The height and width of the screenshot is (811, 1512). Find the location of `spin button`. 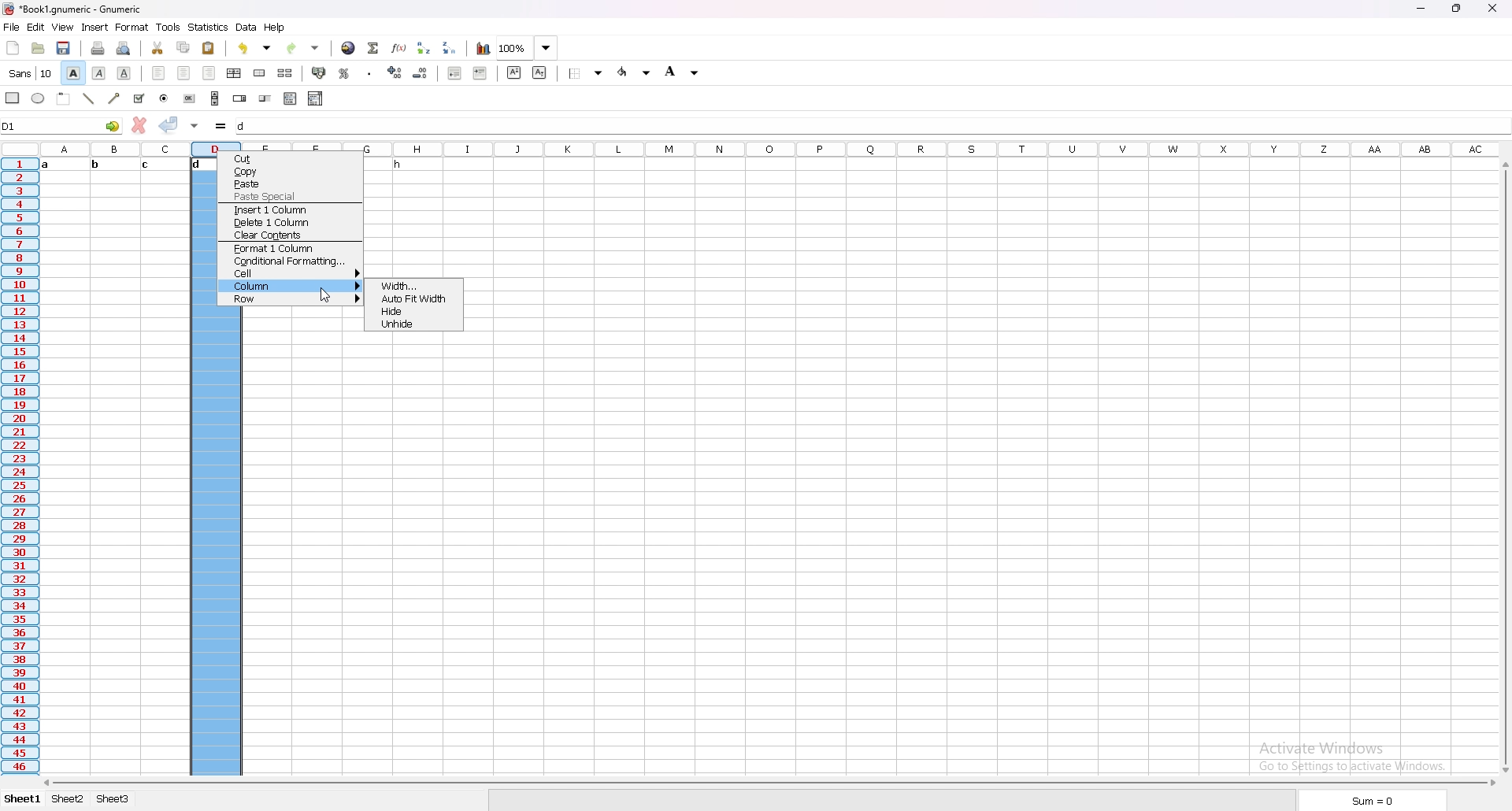

spin button is located at coordinates (241, 98).